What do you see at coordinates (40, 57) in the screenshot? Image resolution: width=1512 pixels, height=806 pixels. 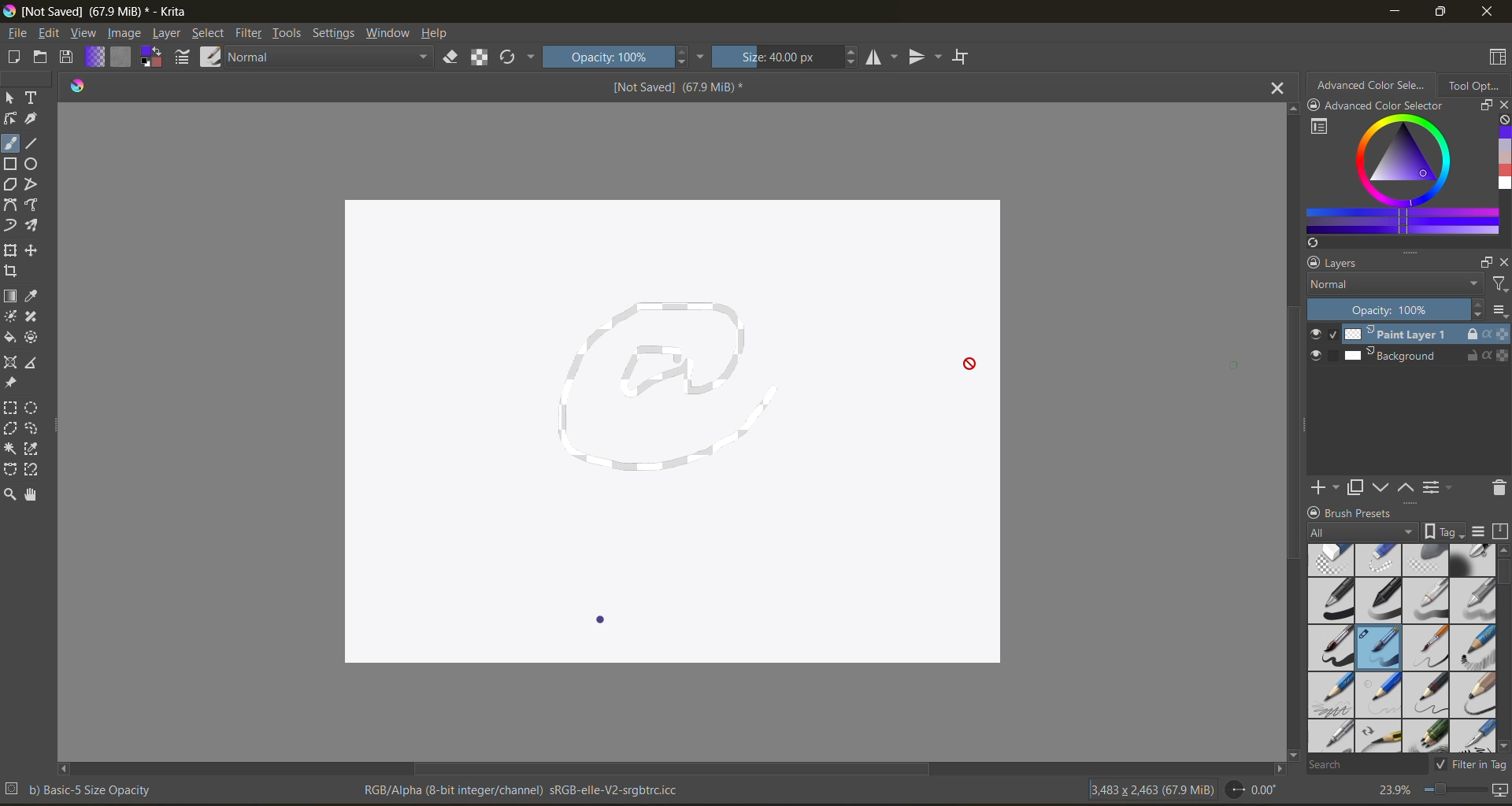 I see `open` at bounding box center [40, 57].